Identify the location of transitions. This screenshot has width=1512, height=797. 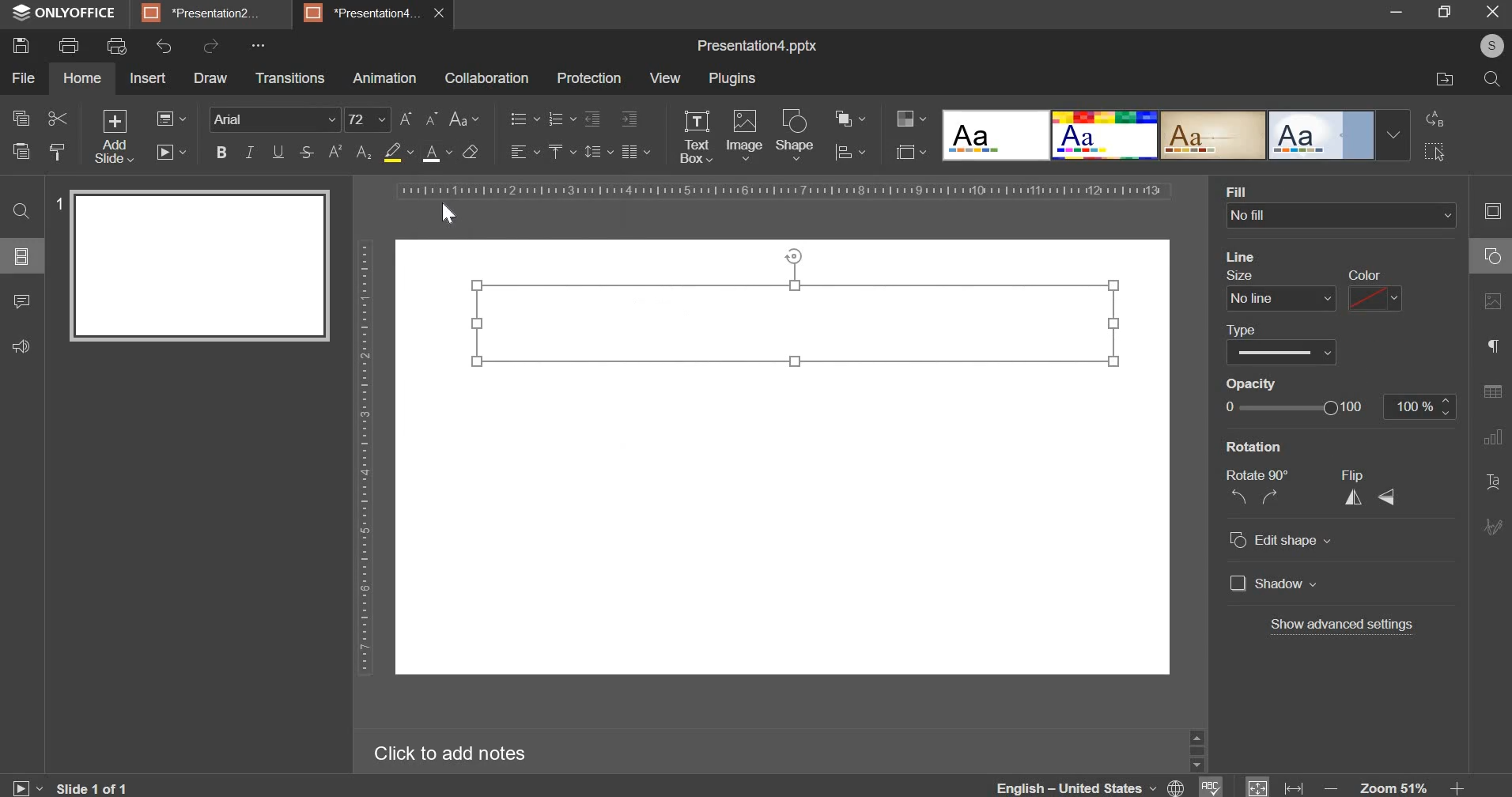
(289, 78).